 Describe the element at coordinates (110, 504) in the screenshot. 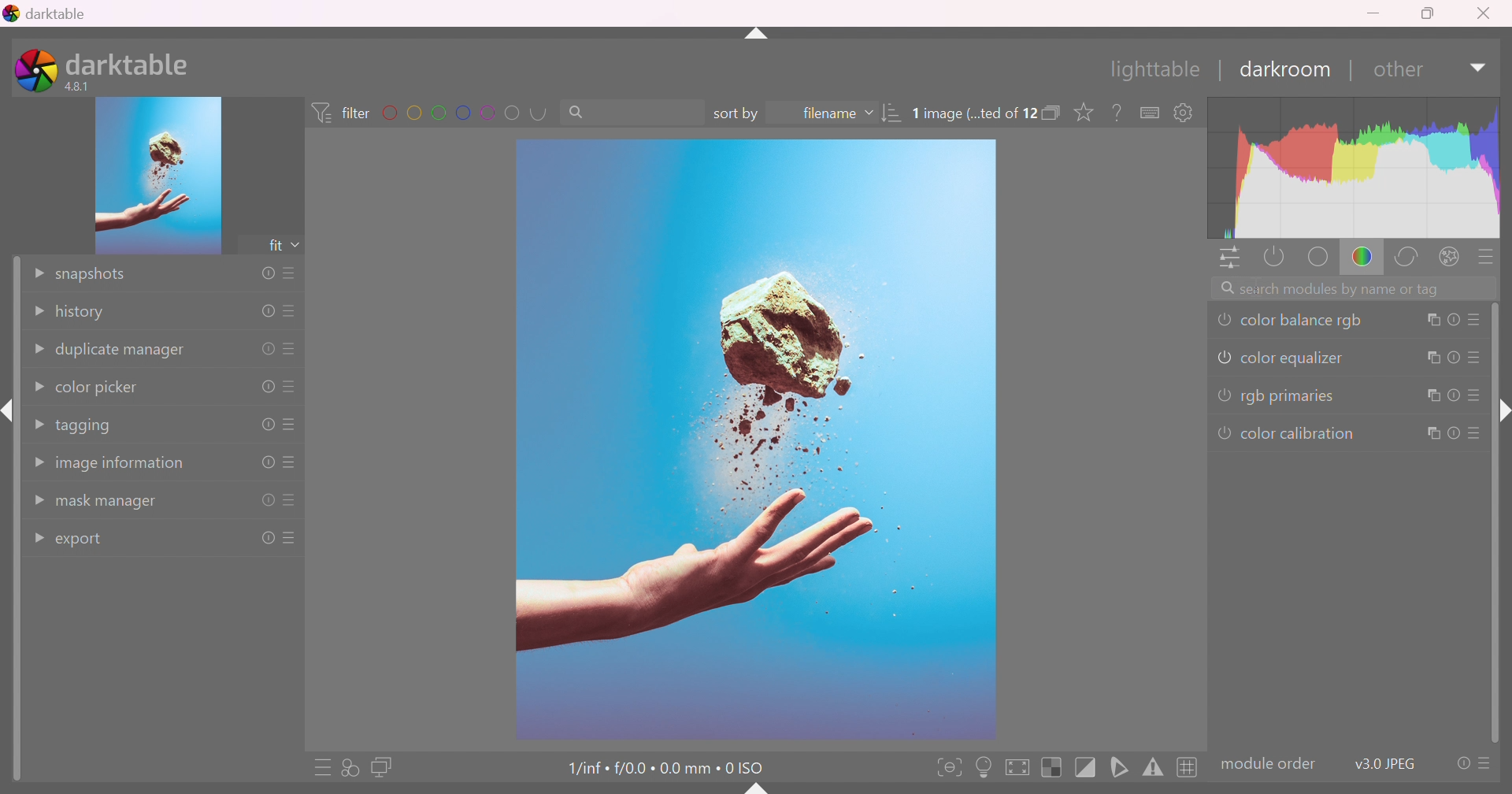

I see `mask manager` at that location.